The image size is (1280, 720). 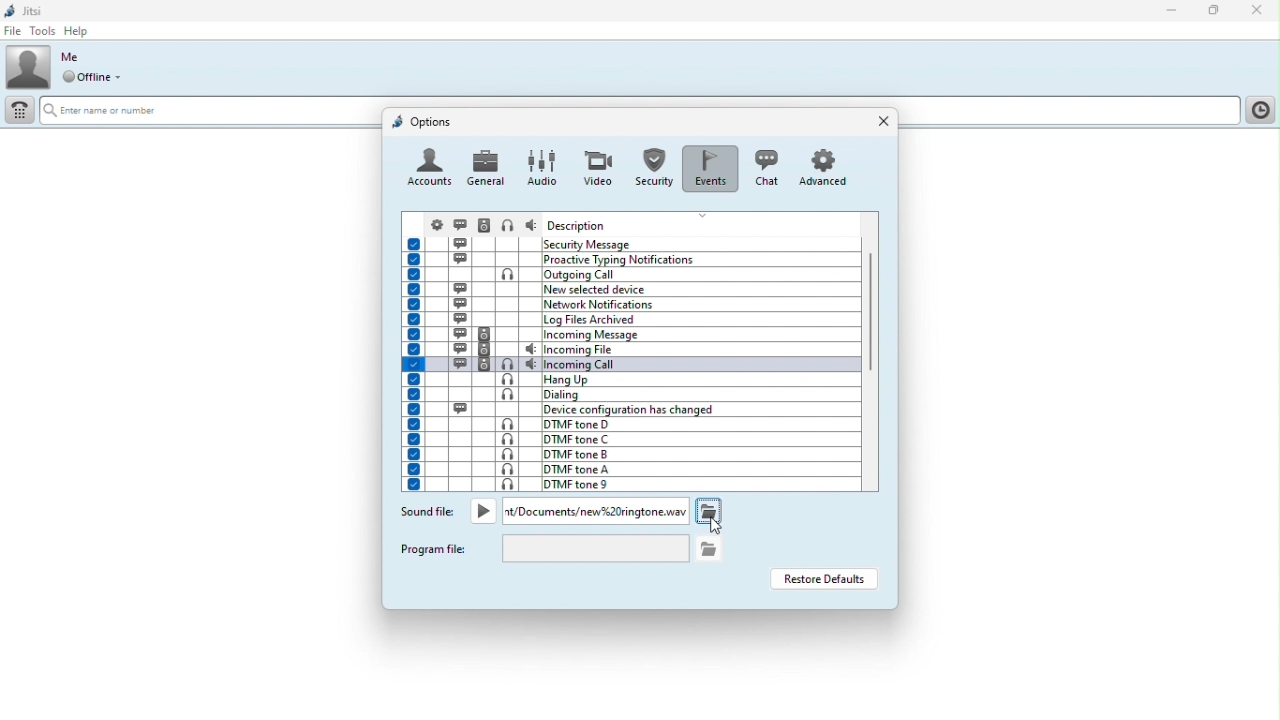 I want to click on Security, so click(x=652, y=164).